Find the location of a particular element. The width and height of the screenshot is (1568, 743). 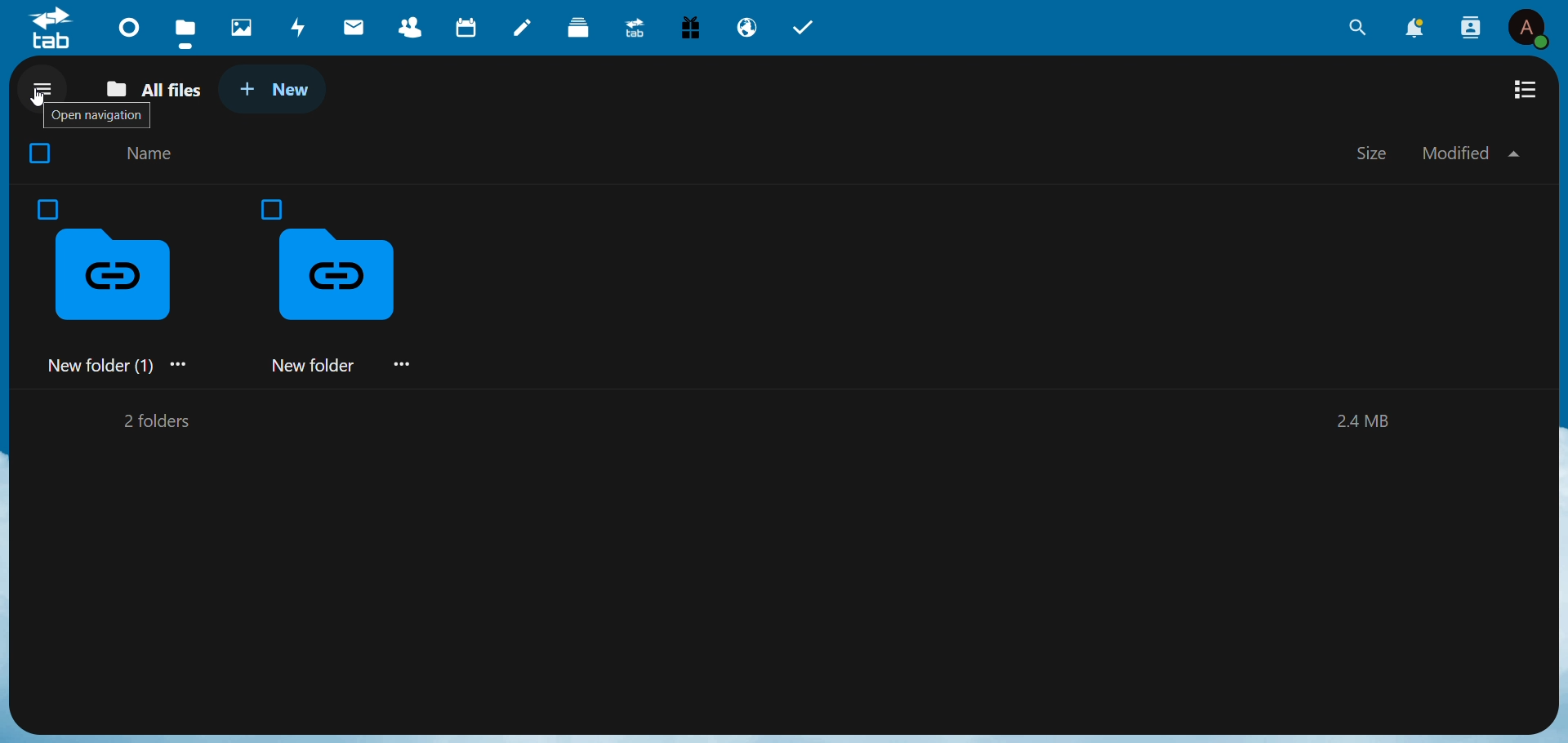

search contact is located at coordinates (1468, 25).